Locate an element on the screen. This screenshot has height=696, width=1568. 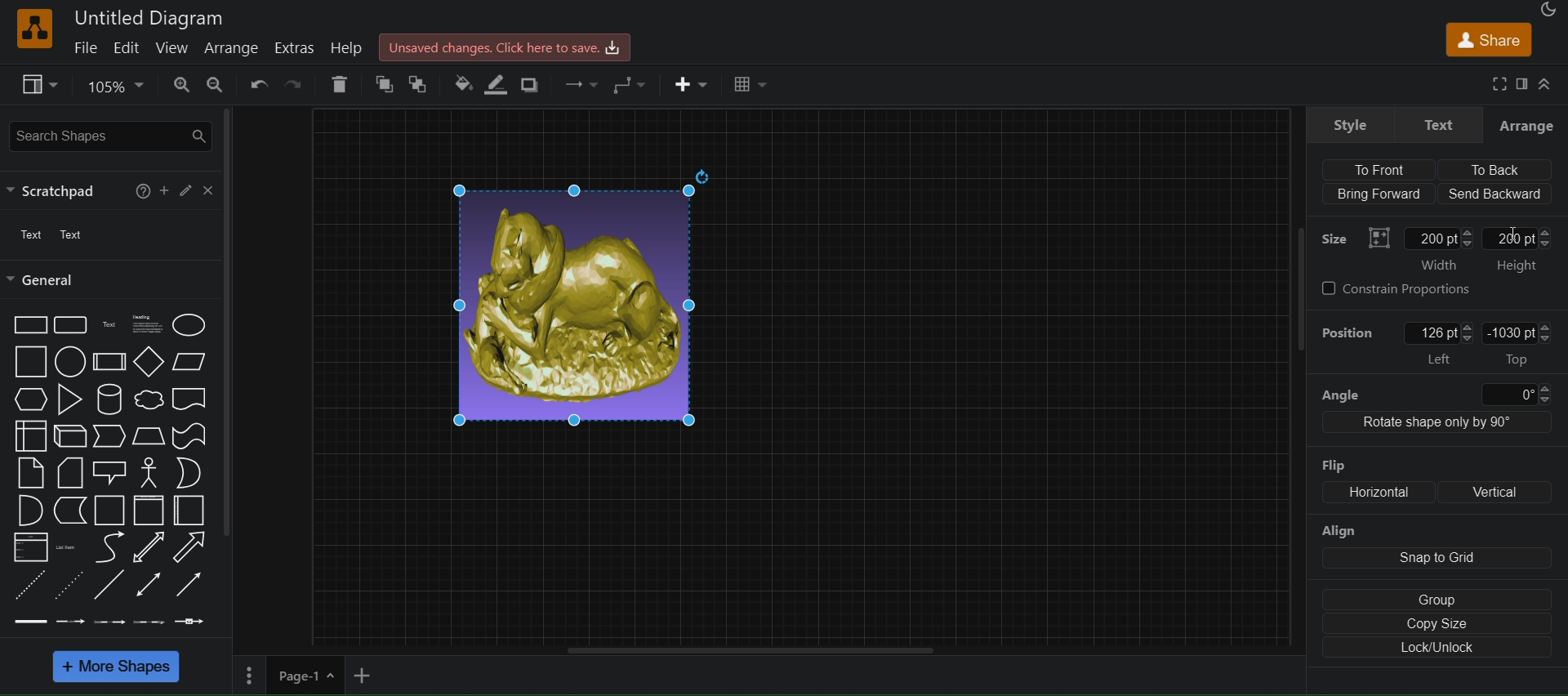
text is located at coordinates (1437, 124).